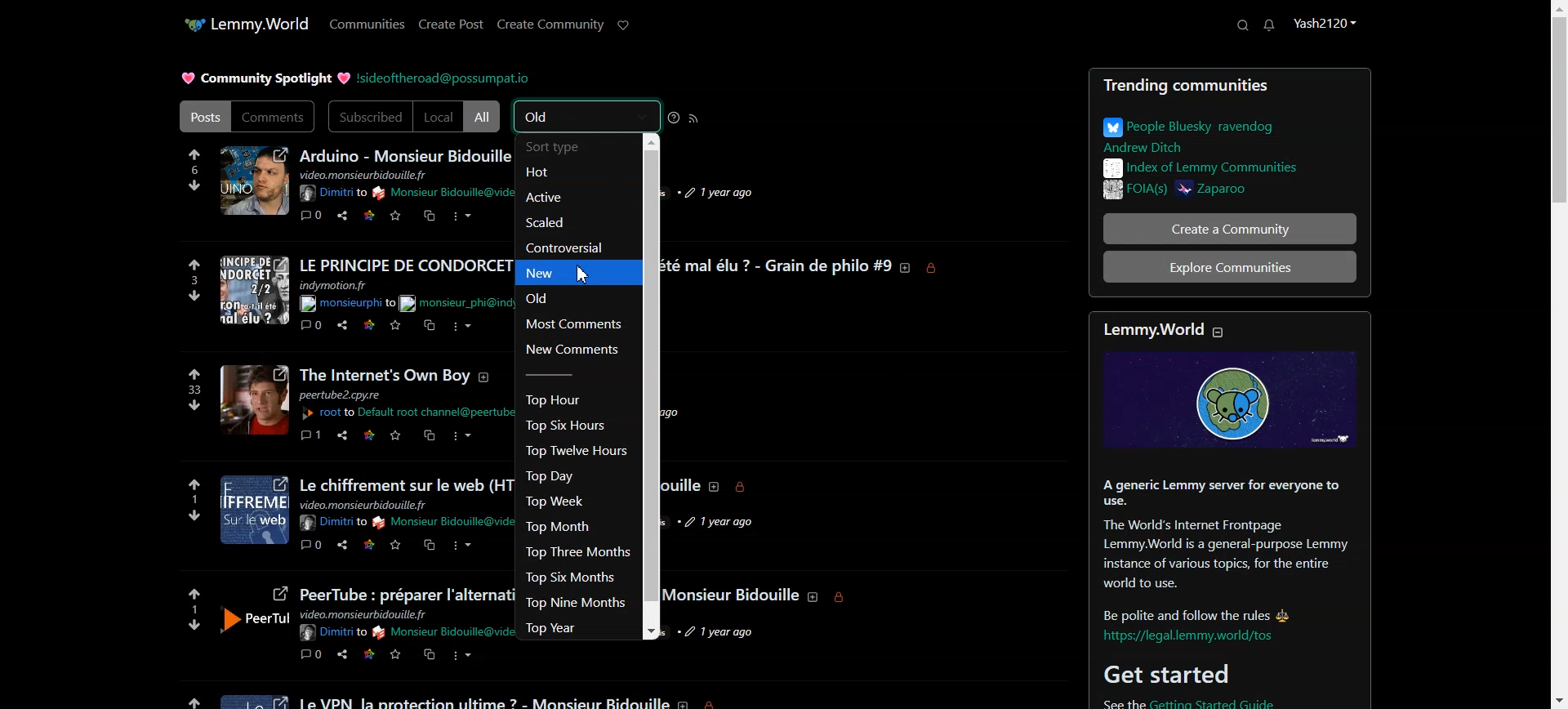 This screenshot has width=1568, height=709. What do you see at coordinates (369, 654) in the screenshot?
I see `` at bounding box center [369, 654].